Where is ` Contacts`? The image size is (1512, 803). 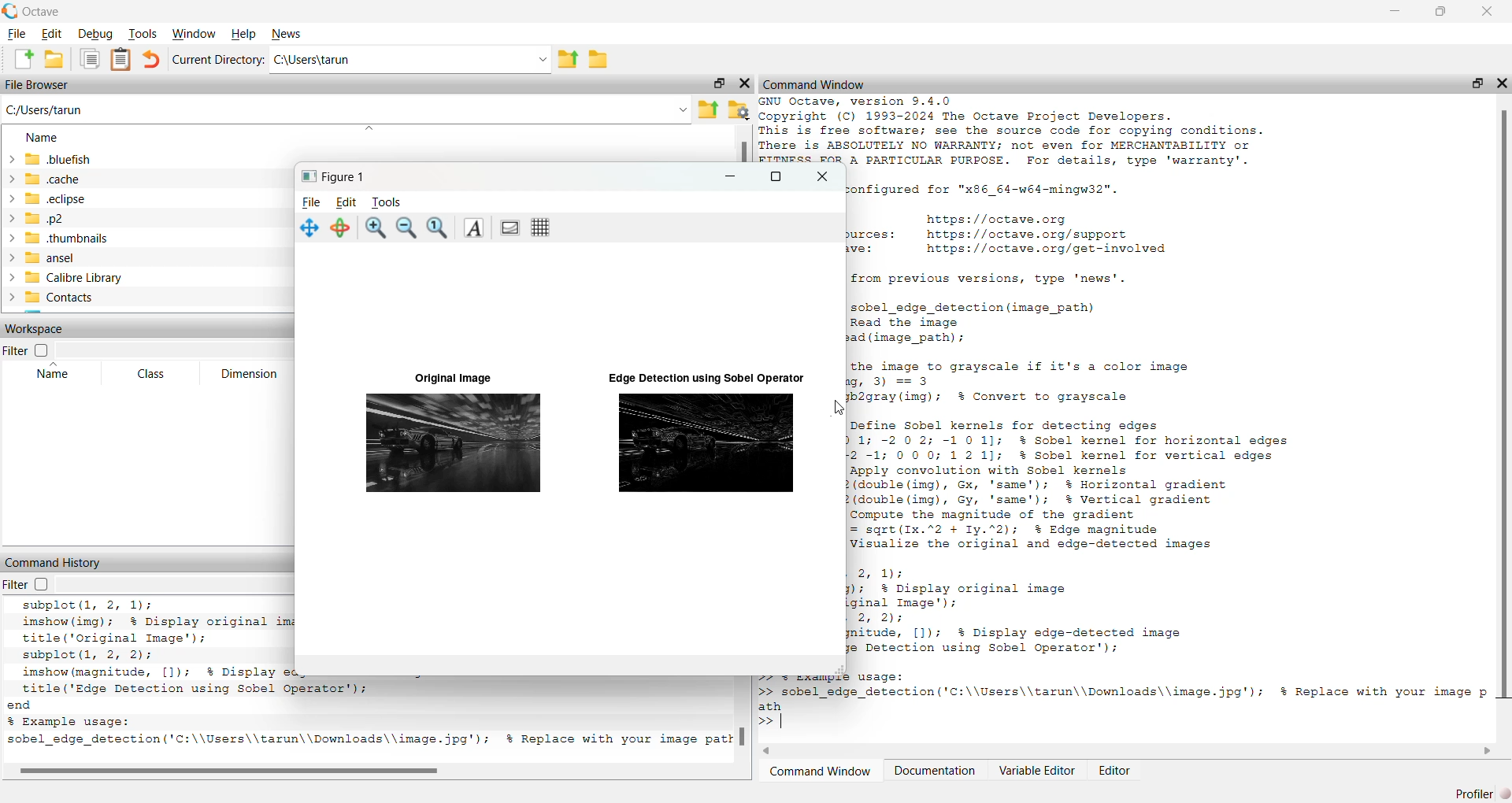
 Contacts is located at coordinates (54, 298).